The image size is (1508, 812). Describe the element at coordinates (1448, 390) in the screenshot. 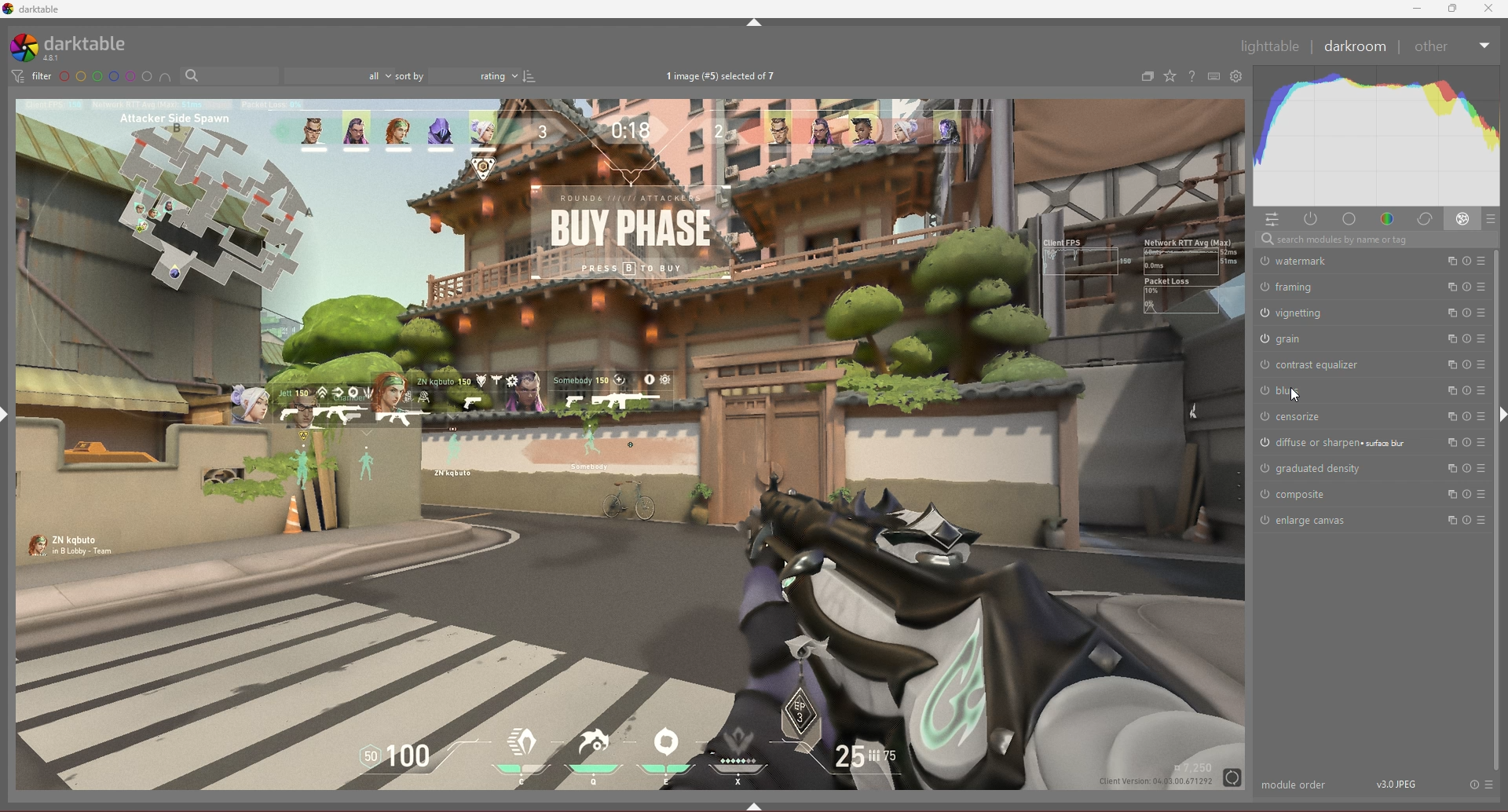

I see `multiple instances action` at that location.